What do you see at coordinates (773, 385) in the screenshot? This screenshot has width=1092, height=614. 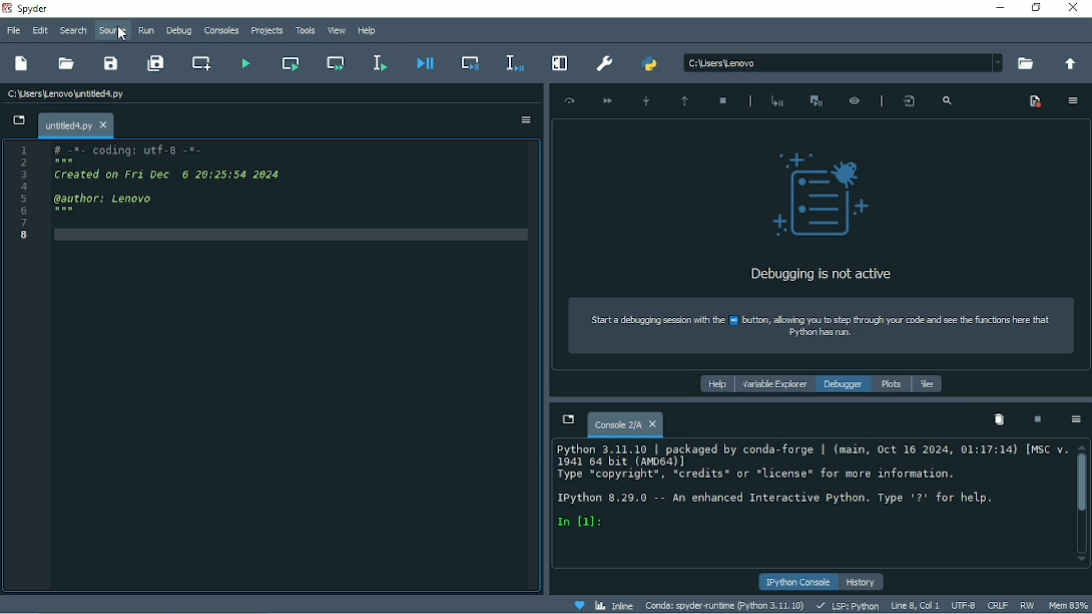 I see `Variable explorer` at bounding box center [773, 385].